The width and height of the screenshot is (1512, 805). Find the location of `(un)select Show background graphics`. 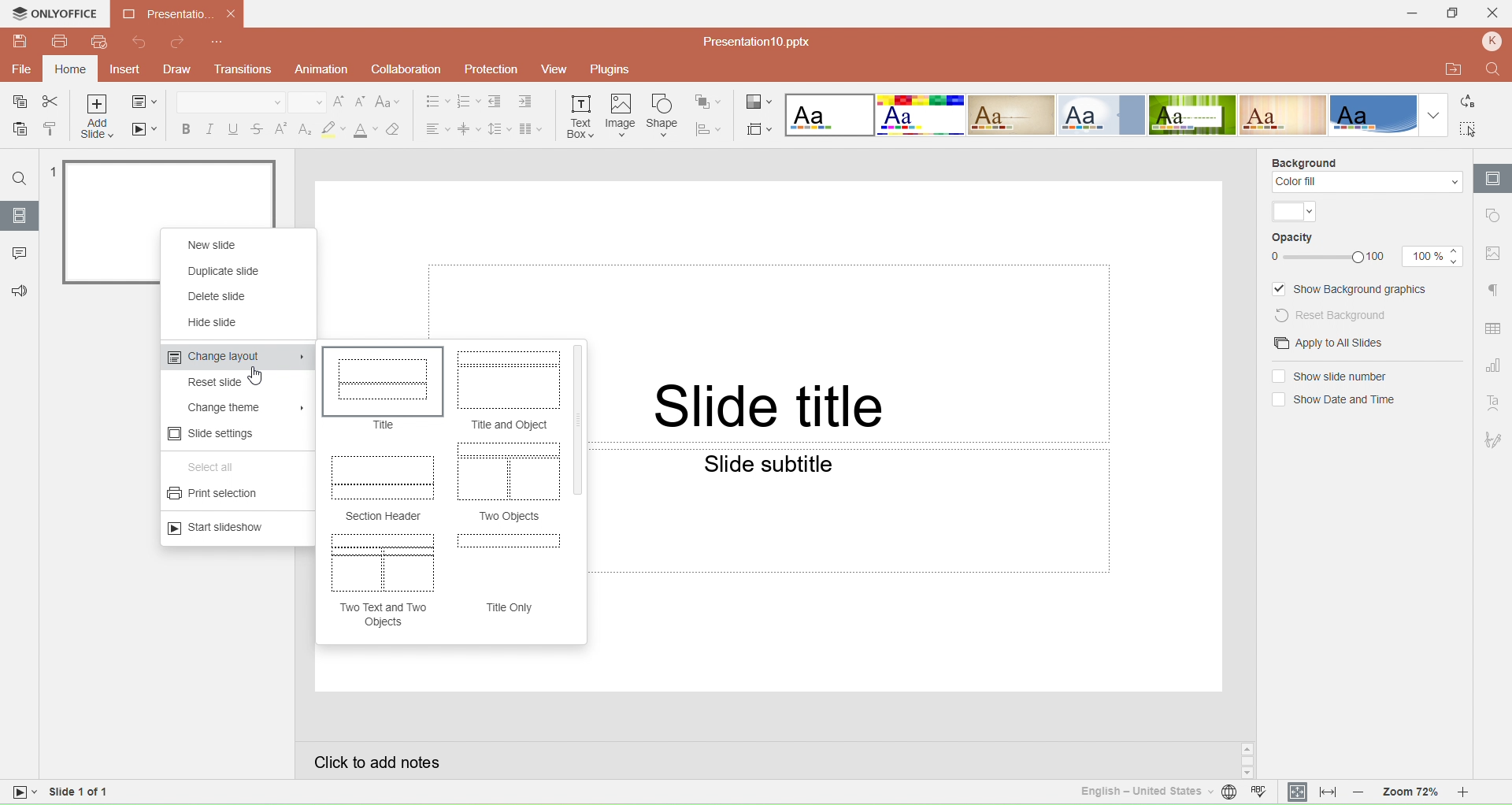

(un)select Show background graphics is located at coordinates (1352, 289).